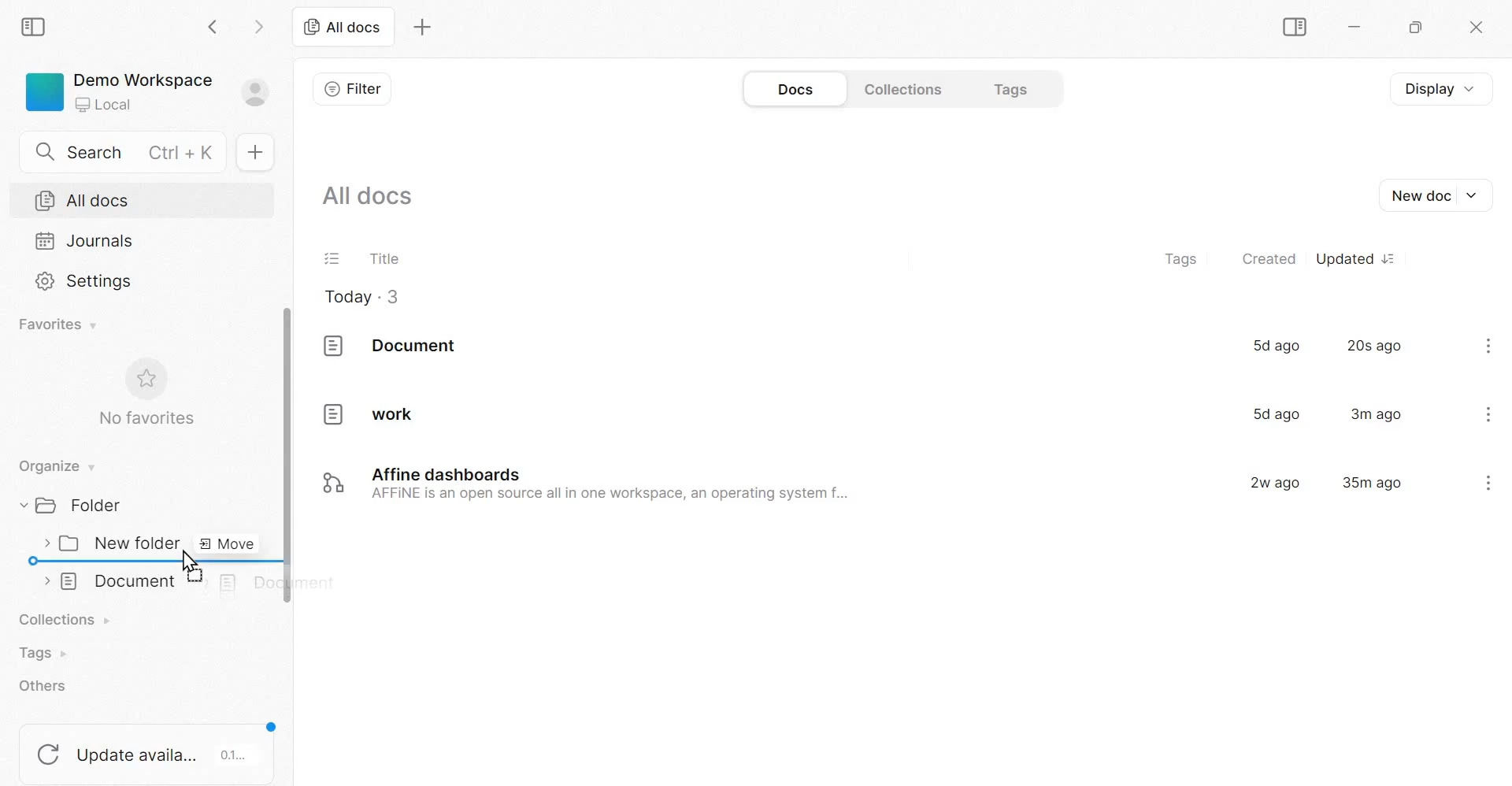 This screenshot has height=786, width=1512. Describe the element at coordinates (1273, 413) in the screenshot. I see `5d ago` at that location.